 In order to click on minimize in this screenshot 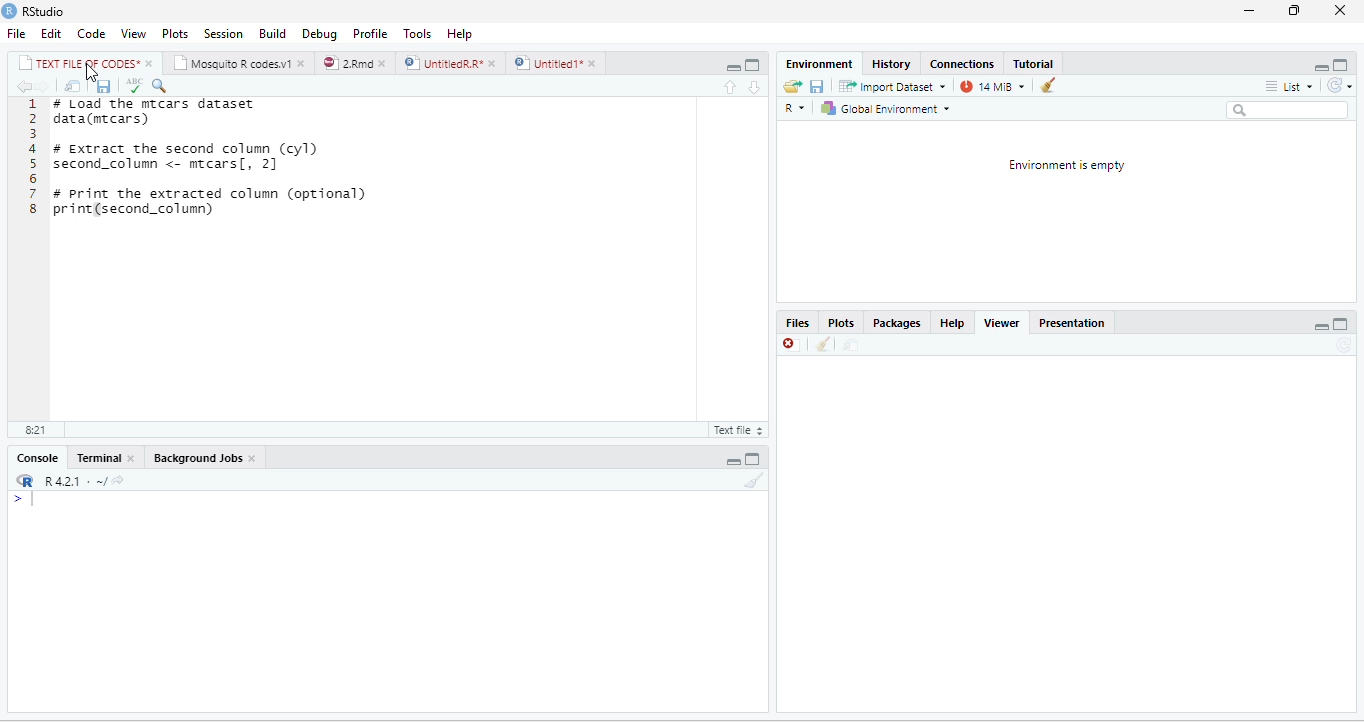, I will do `click(1320, 324)`.